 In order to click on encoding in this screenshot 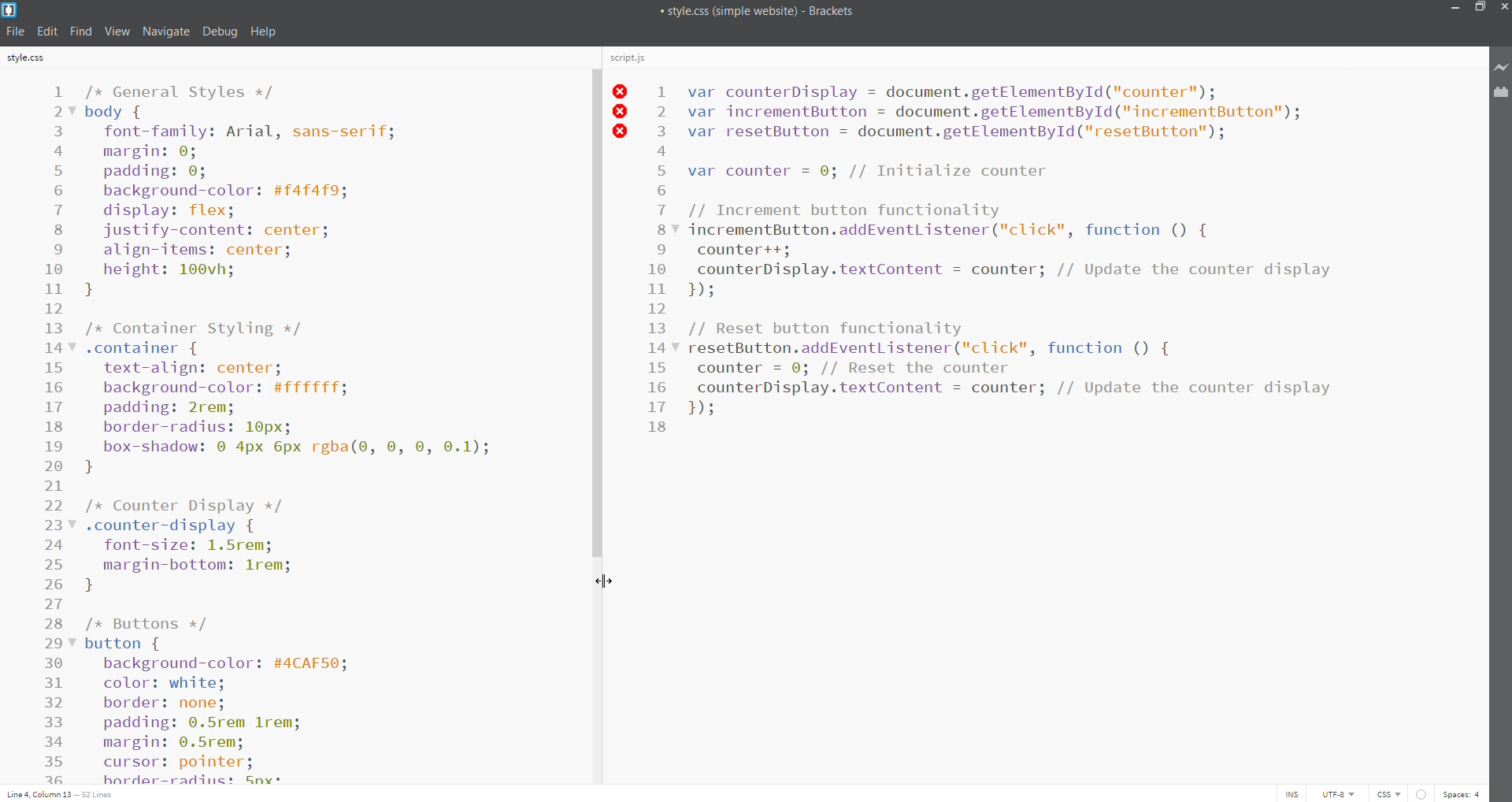, I will do `click(1336, 794)`.